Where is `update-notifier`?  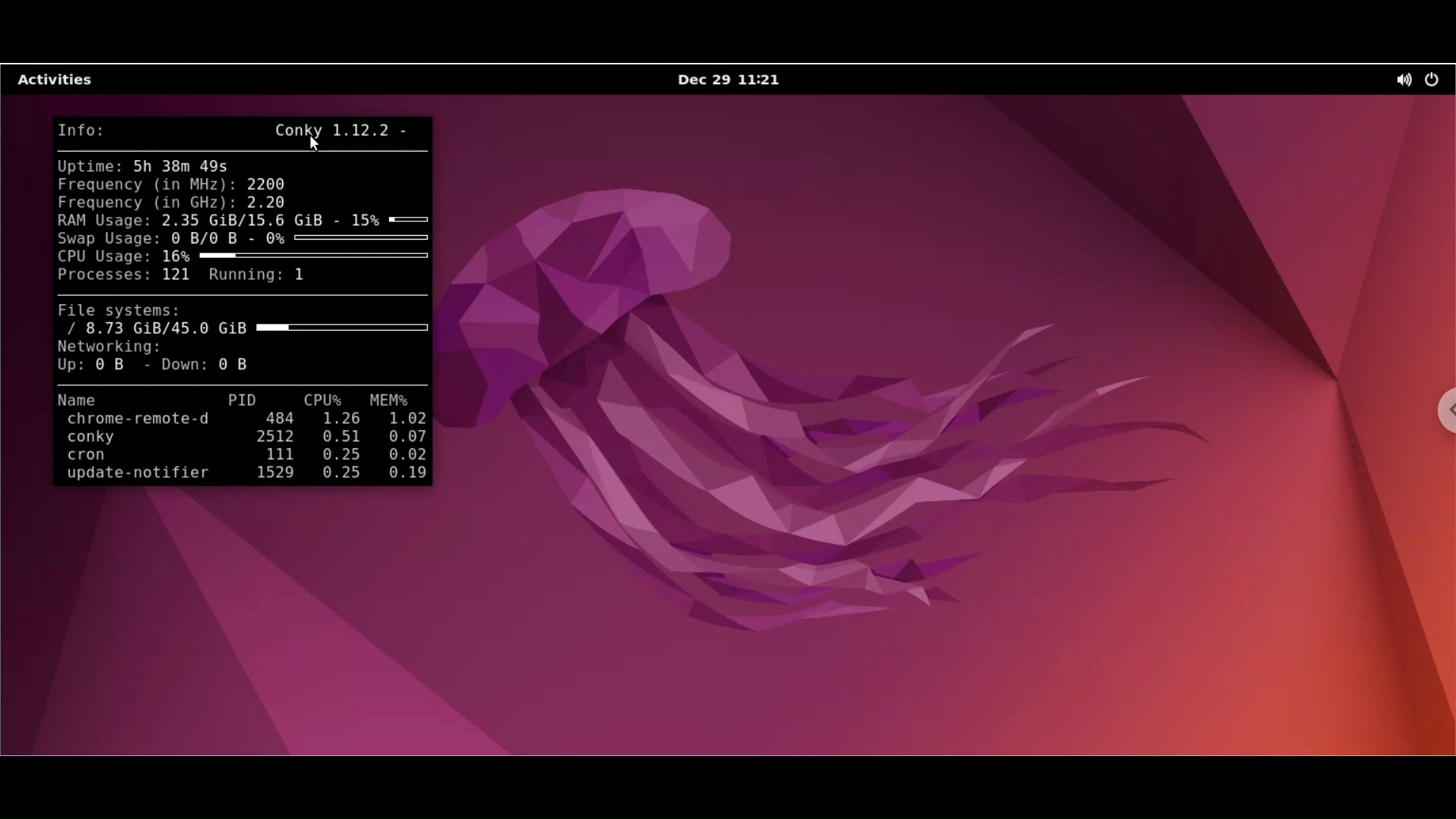 update-notifier is located at coordinates (131, 476).